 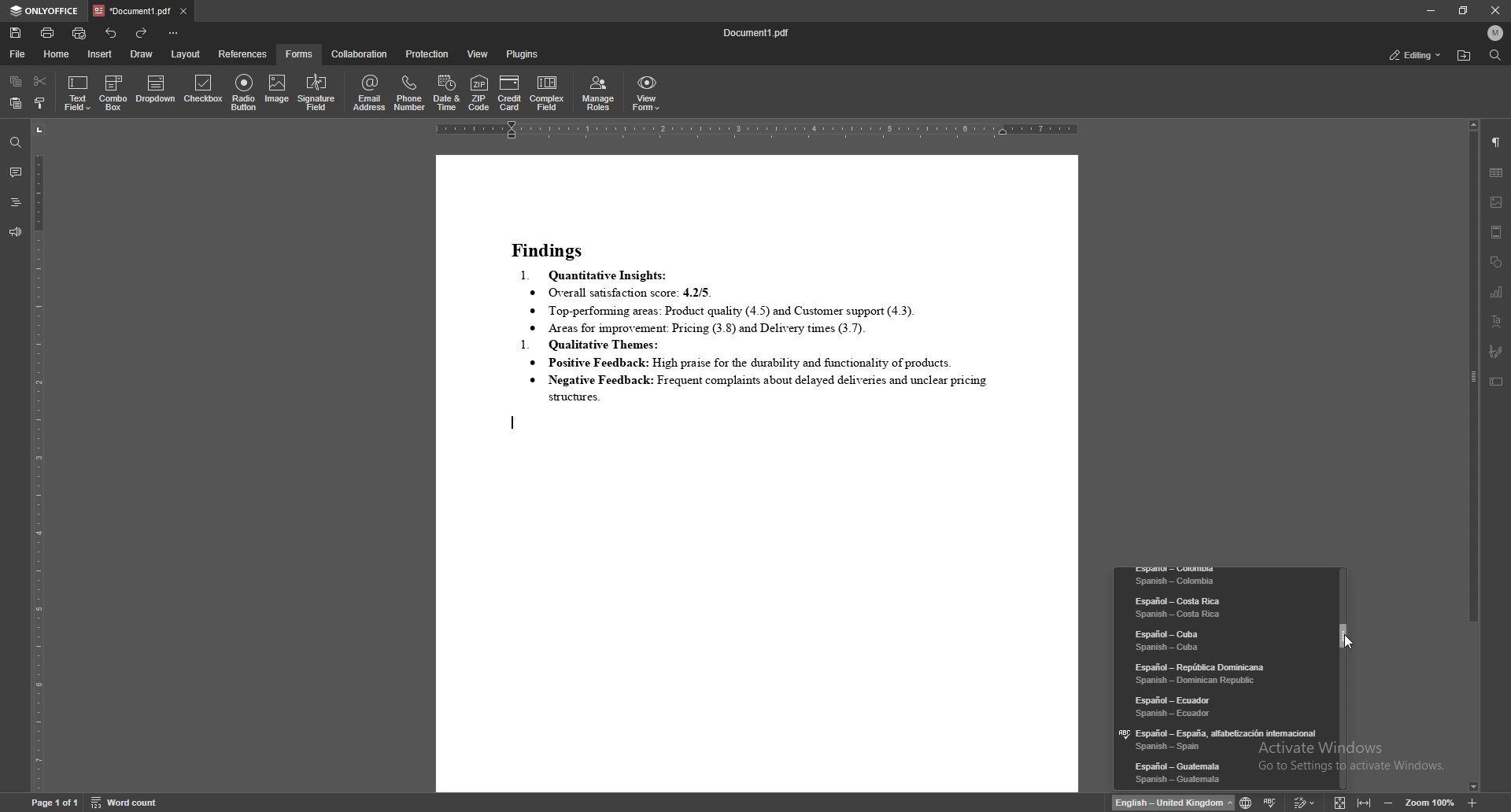 I want to click on feedback, so click(x=15, y=233).